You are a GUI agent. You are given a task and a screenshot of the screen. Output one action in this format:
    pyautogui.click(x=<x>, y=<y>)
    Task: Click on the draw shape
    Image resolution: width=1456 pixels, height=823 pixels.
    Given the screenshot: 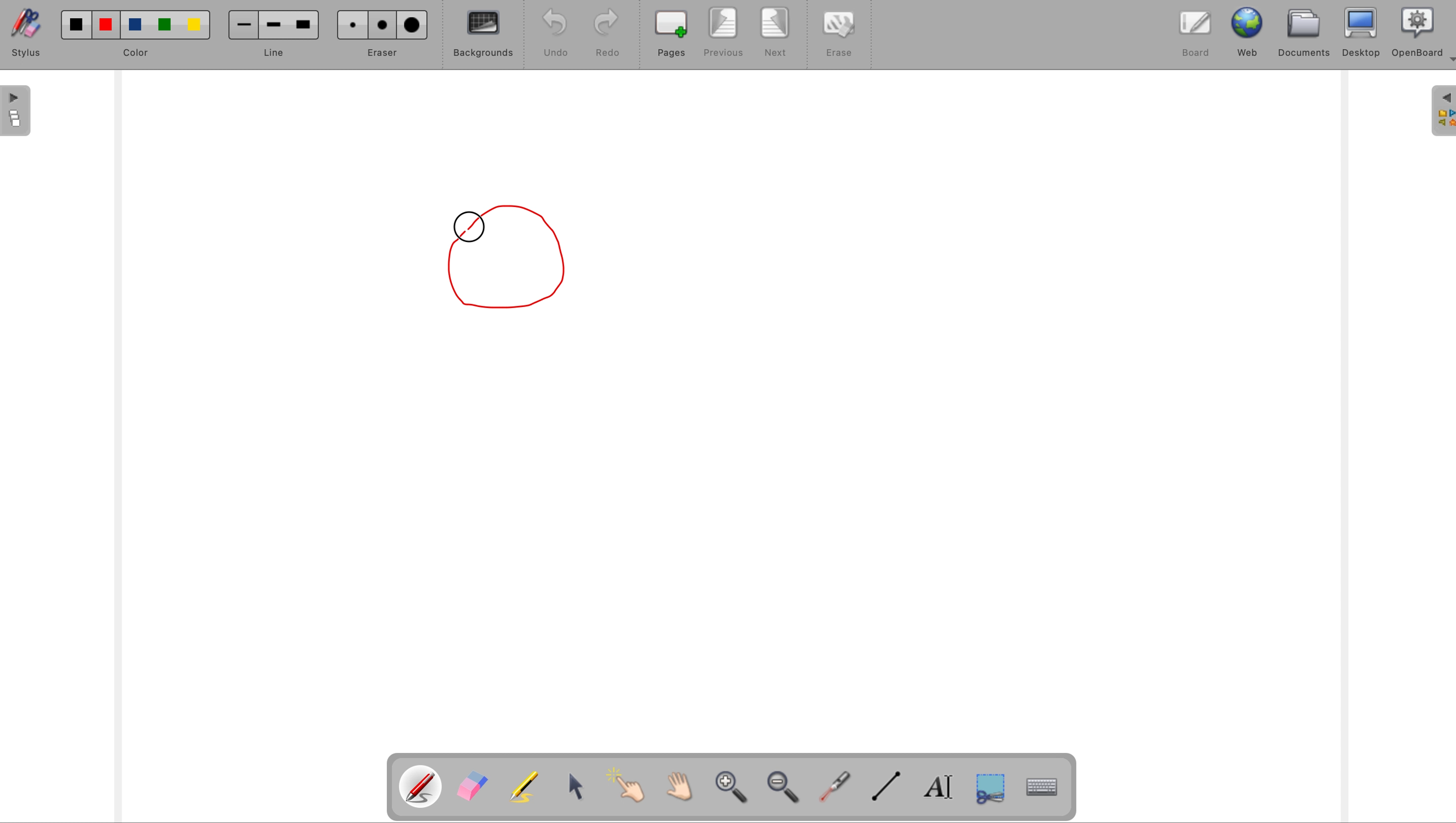 What is the action you would take?
    pyautogui.click(x=516, y=257)
    